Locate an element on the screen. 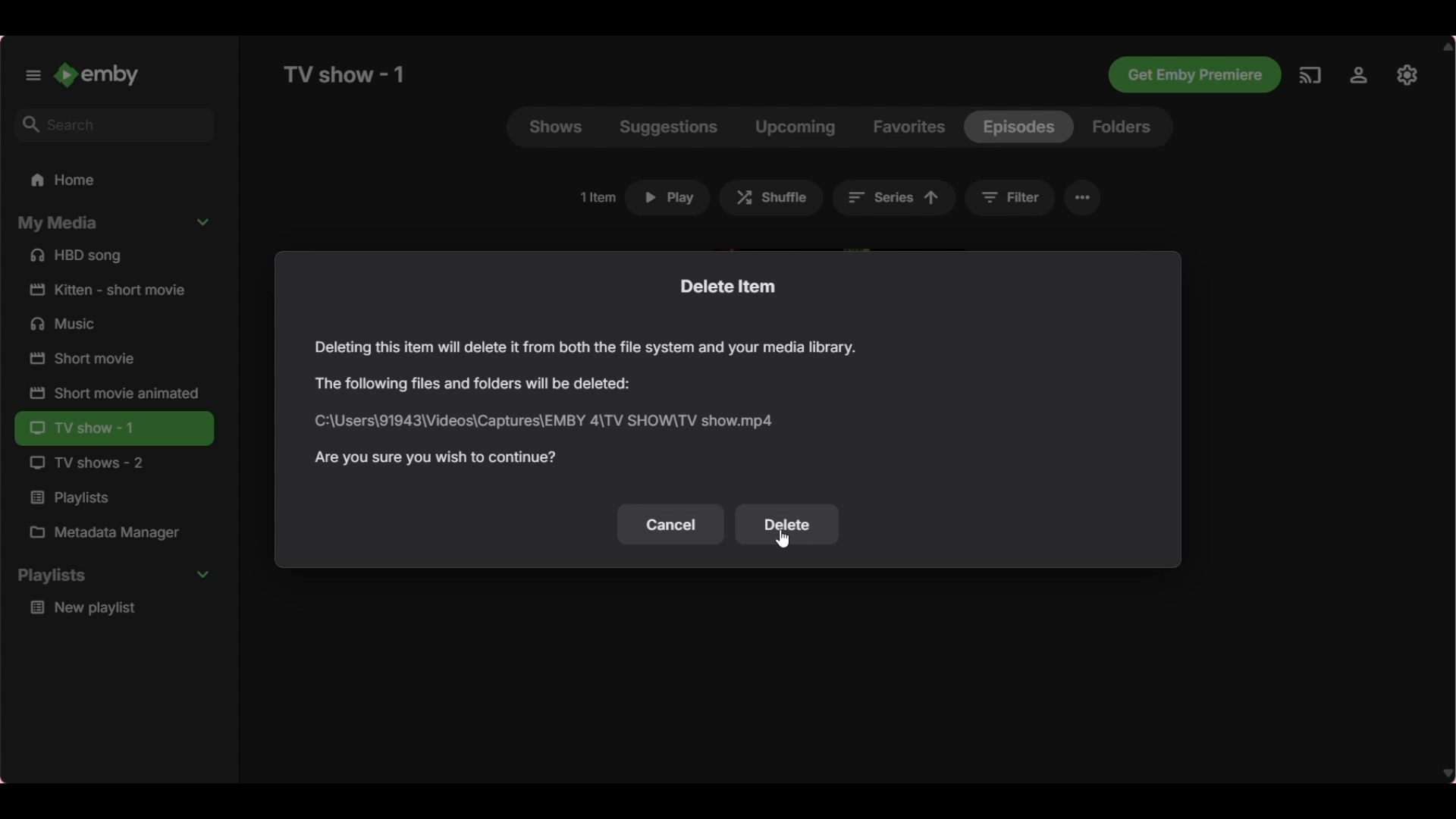 This screenshot has height=819, width=1456. Current sorting changed is located at coordinates (895, 197).